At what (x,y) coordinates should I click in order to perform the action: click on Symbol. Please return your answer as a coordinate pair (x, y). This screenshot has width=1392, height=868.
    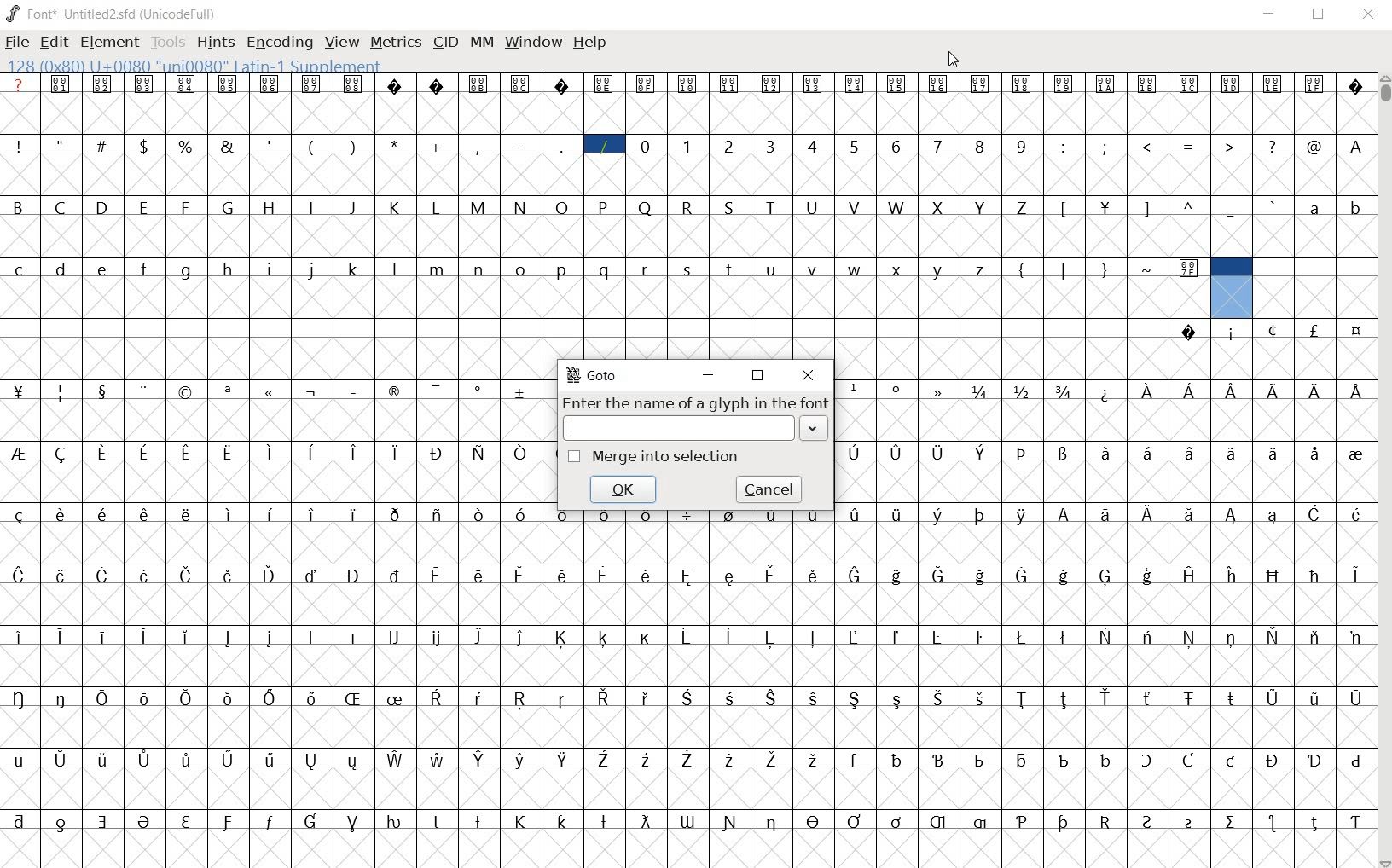
    Looking at the image, I should click on (1354, 636).